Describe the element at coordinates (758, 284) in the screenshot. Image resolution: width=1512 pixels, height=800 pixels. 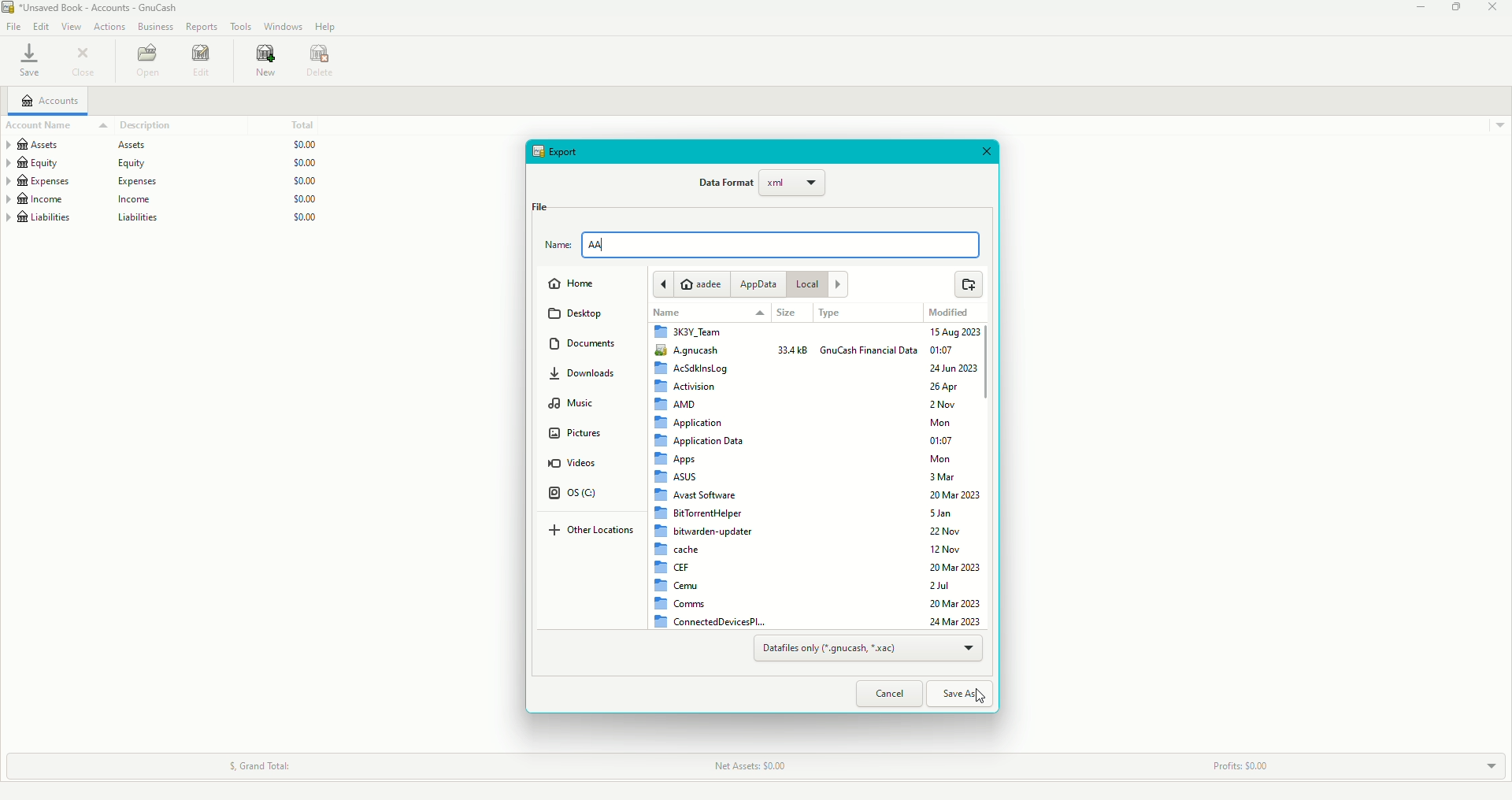
I see `AppData` at that location.